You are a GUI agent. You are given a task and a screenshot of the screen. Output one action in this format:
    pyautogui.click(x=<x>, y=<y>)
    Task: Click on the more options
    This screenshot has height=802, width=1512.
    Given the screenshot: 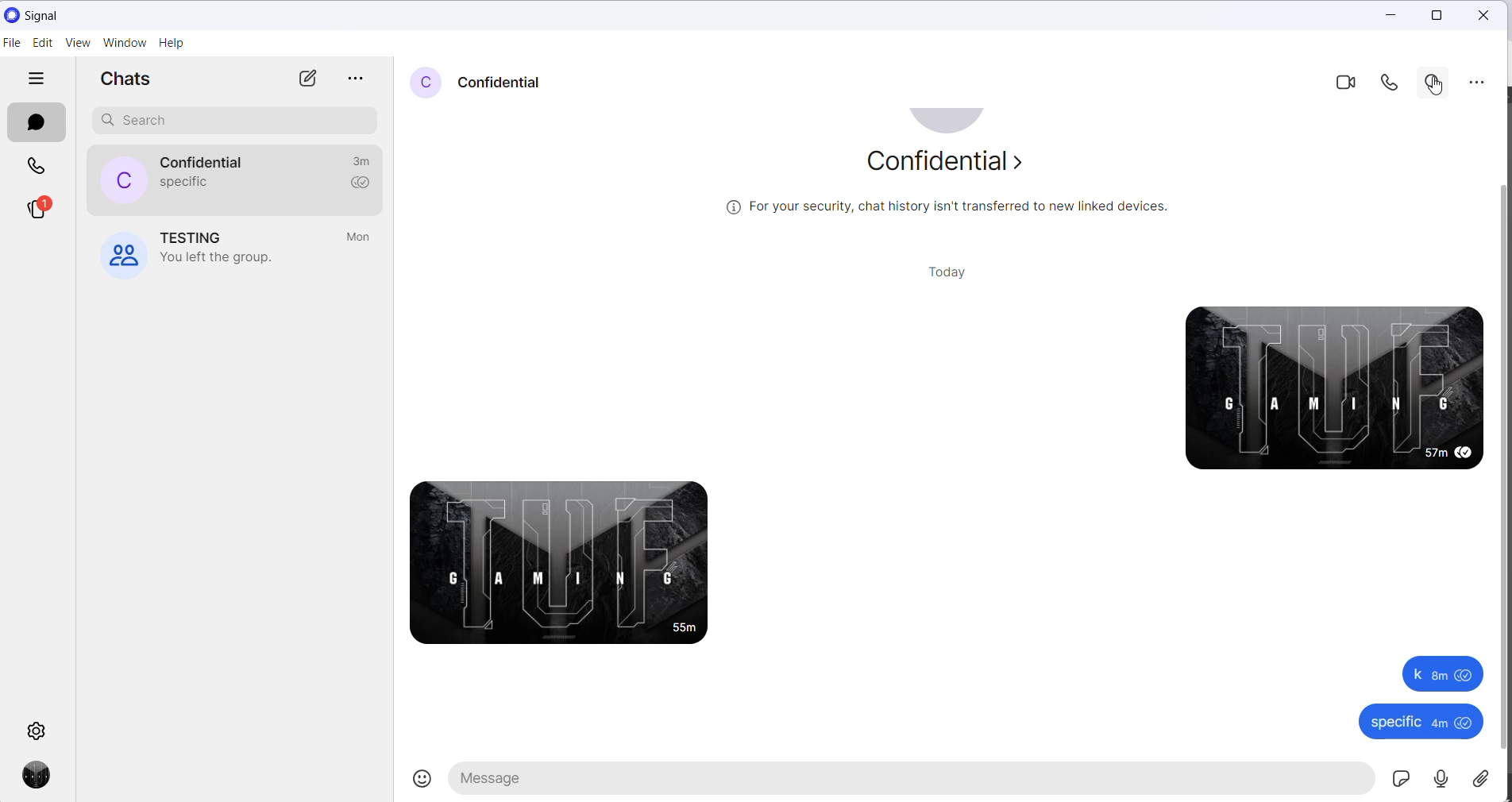 What is the action you would take?
    pyautogui.click(x=1478, y=81)
    